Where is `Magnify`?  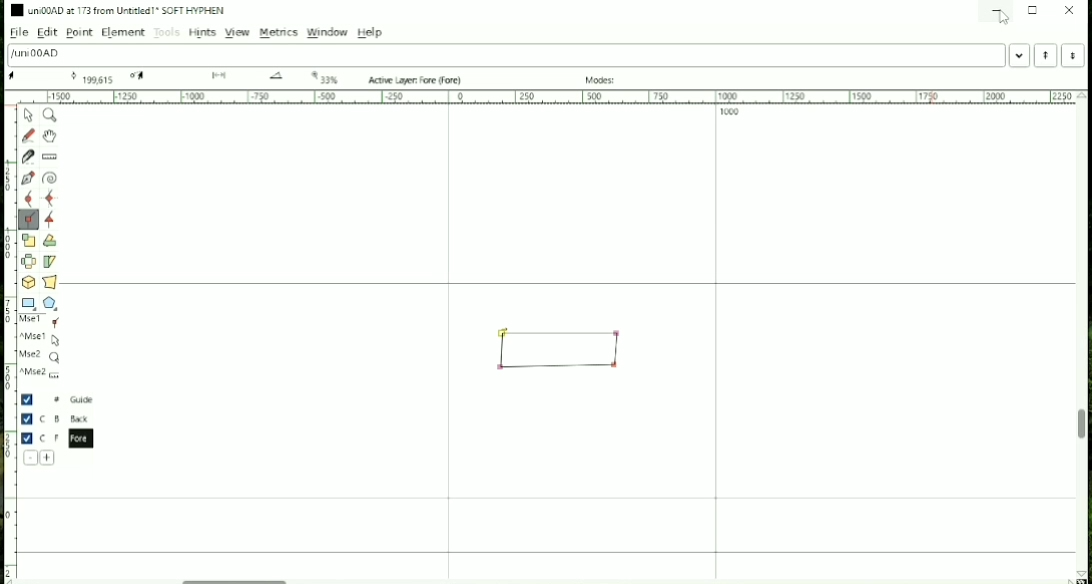 Magnify is located at coordinates (51, 115).